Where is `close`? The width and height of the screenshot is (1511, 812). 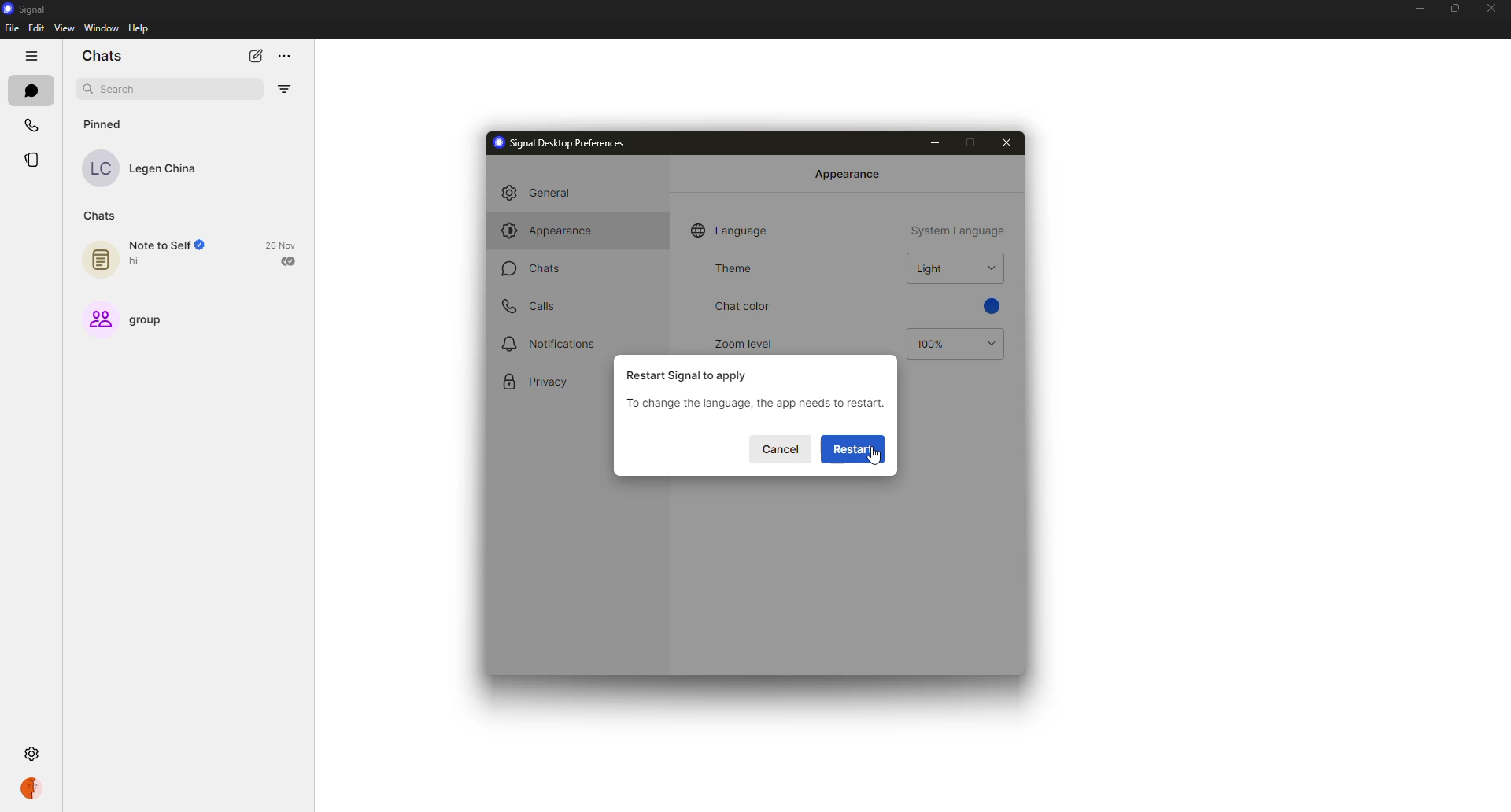 close is located at coordinates (1492, 6).